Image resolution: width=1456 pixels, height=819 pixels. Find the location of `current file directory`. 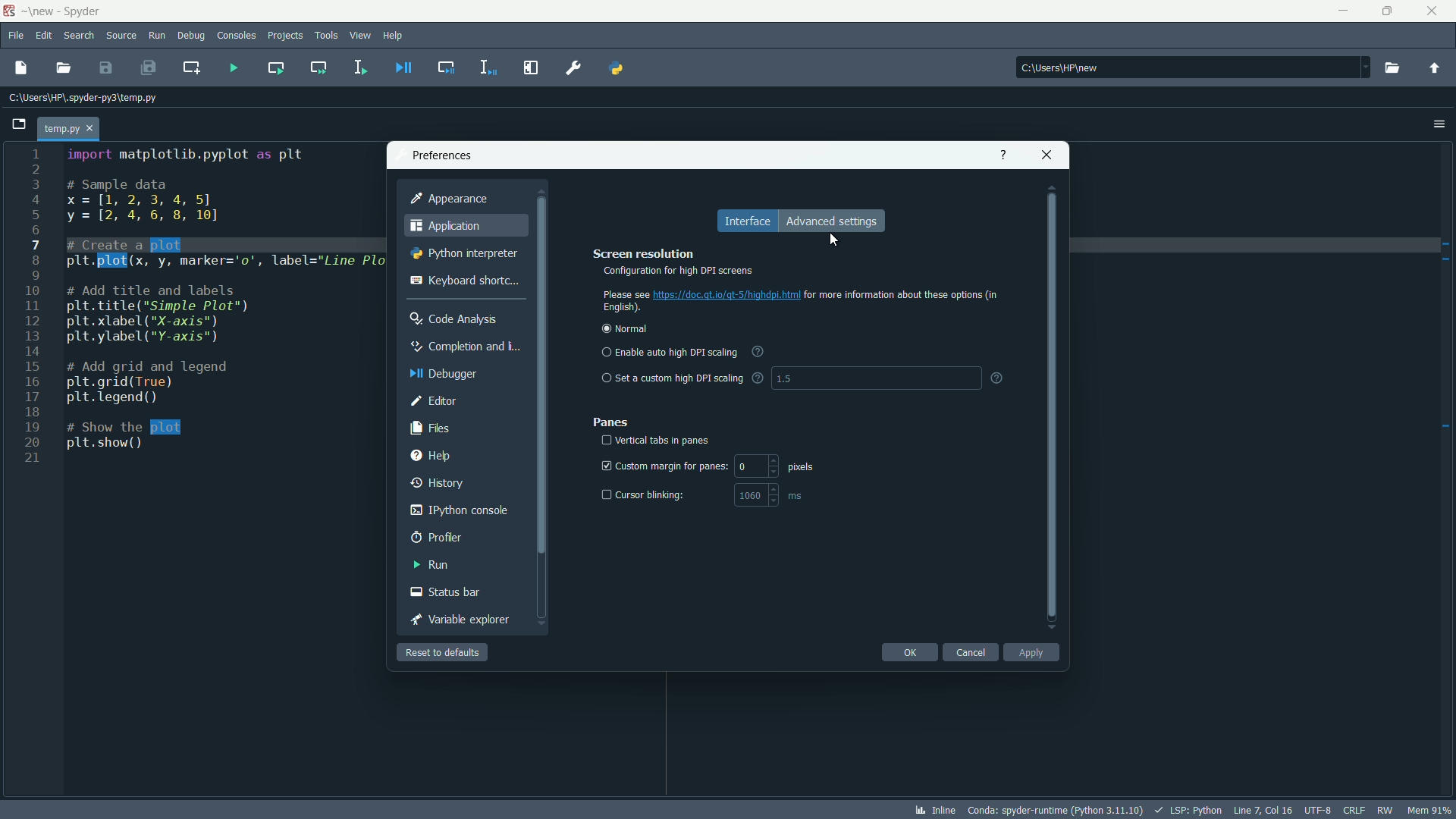

current file directory is located at coordinates (81, 96).